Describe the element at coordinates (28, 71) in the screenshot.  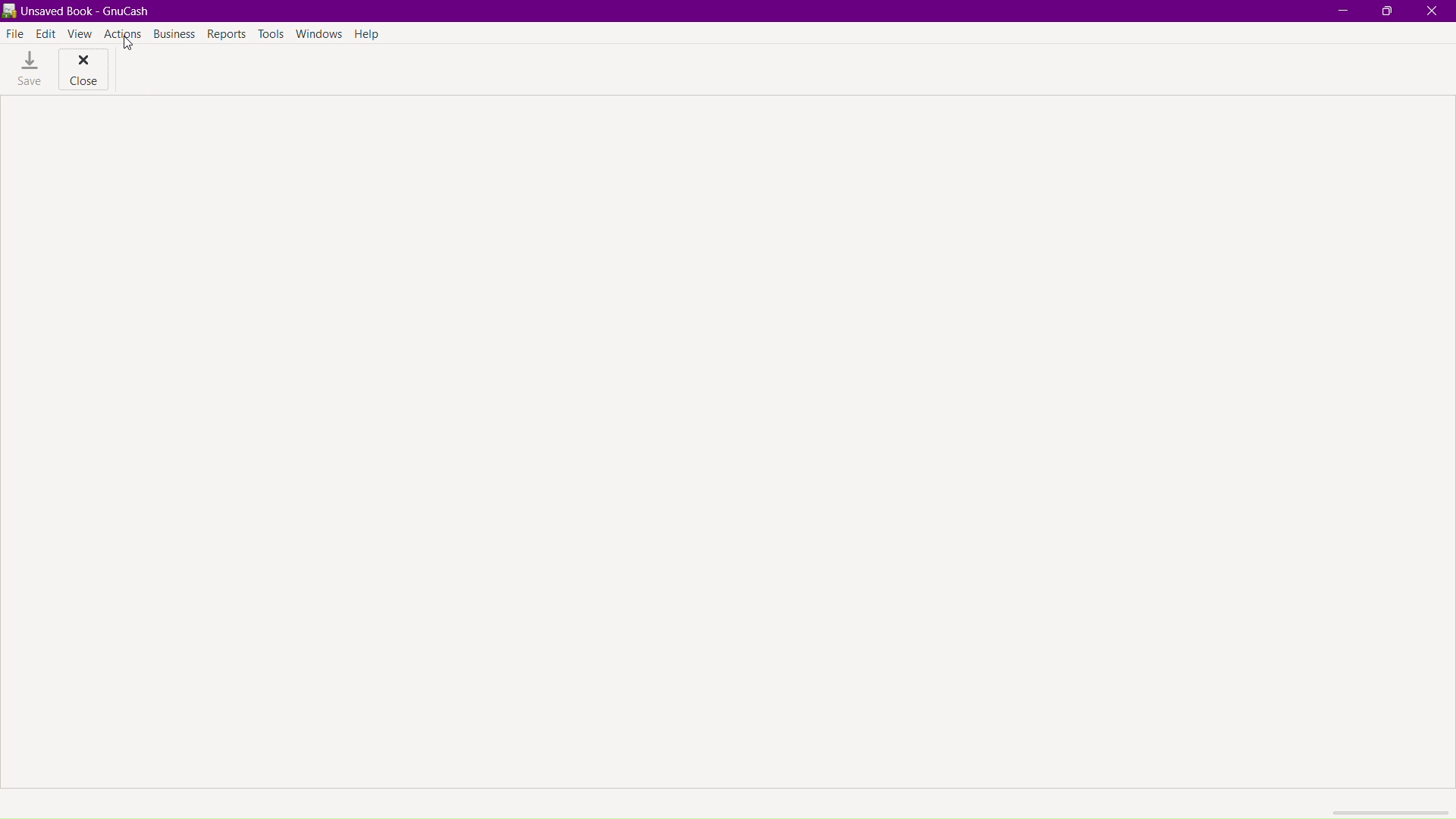
I see `Save` at that location.